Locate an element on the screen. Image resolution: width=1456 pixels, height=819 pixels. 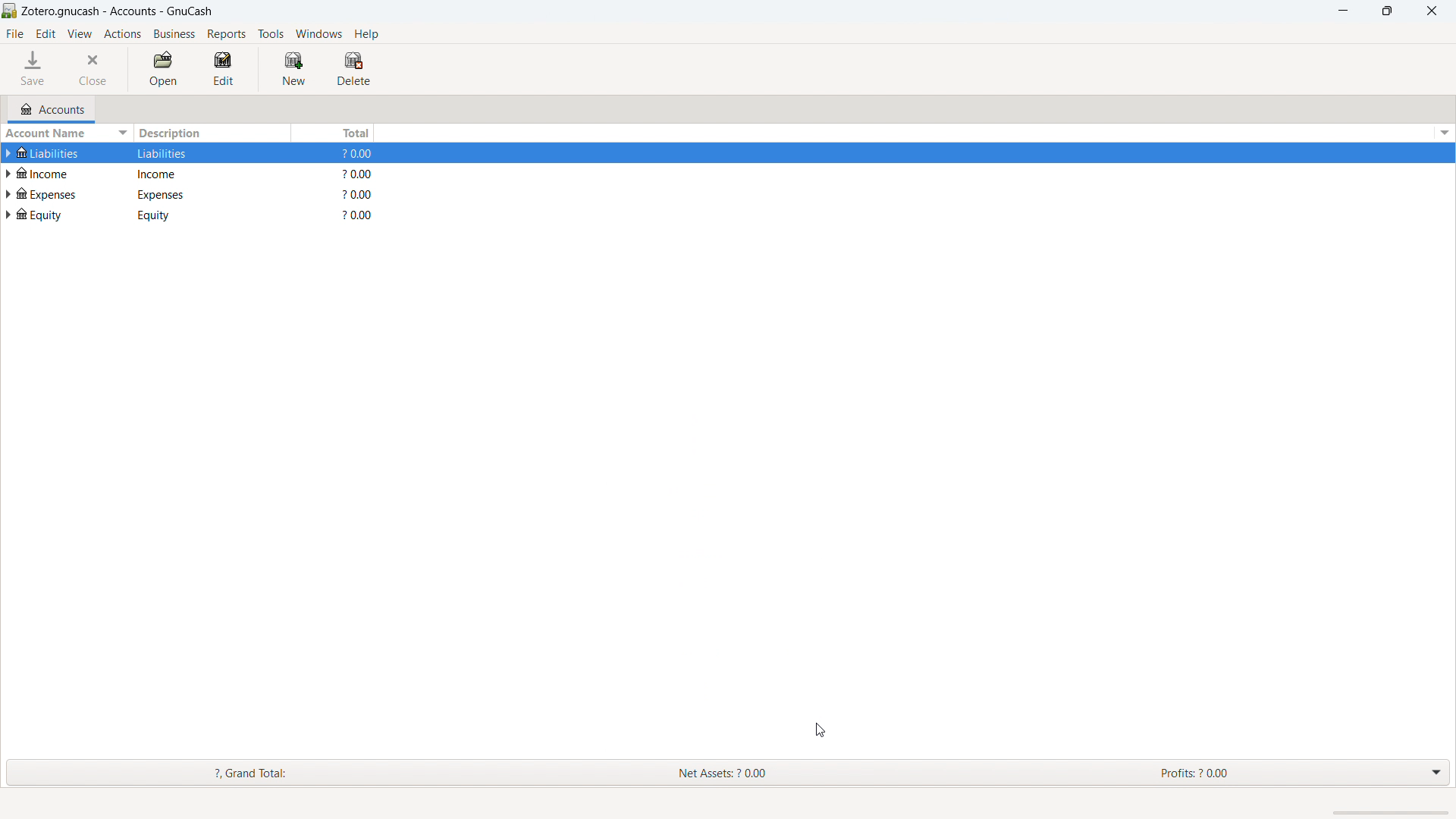
edit is located at coordinates (45, 34).